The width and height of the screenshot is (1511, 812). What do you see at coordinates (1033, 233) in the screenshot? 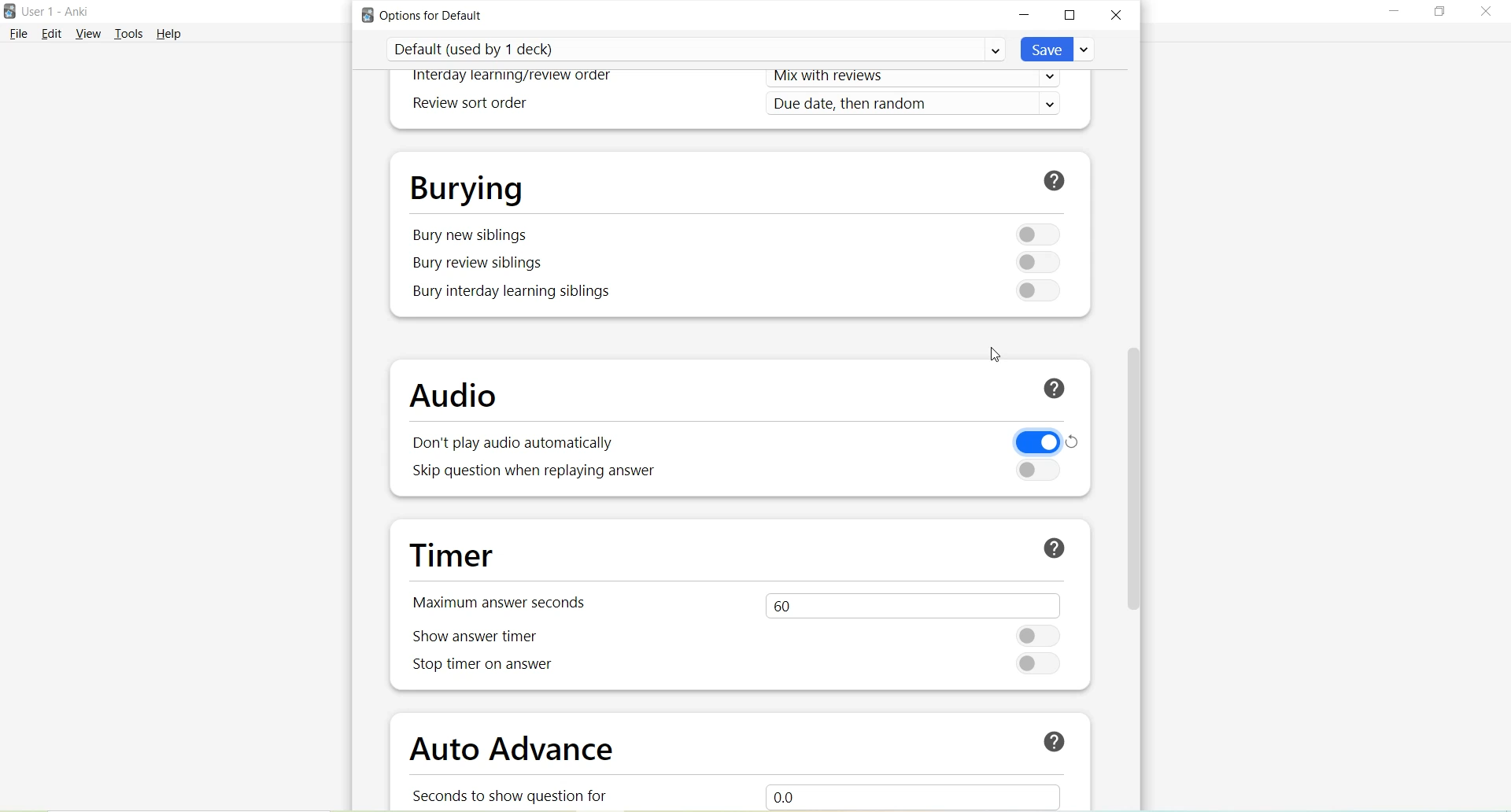
I see `Toggle` at bounding box center [1033, 233].